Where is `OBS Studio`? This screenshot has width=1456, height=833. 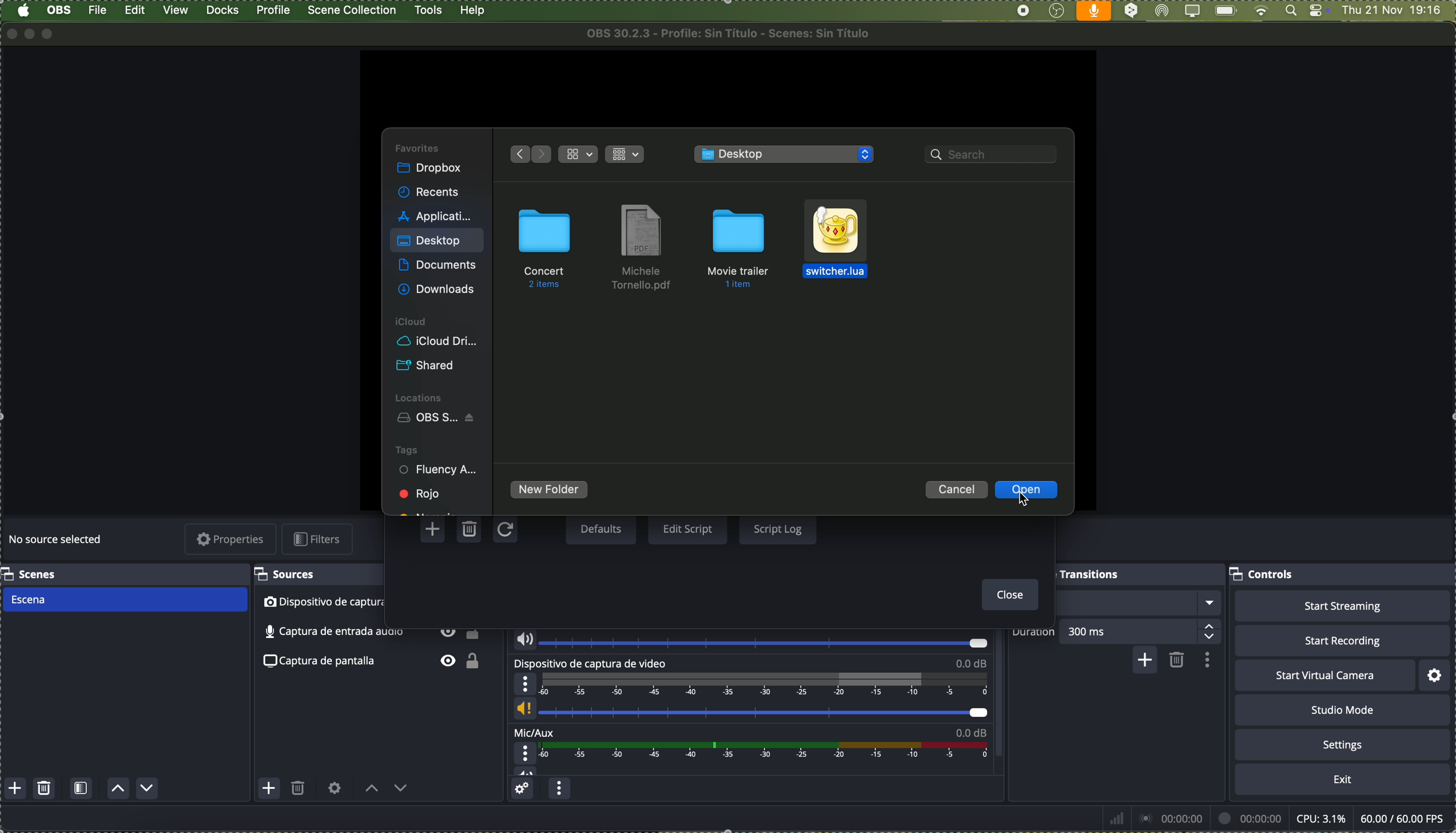
OBS Studio is located at coordinates (439, 419).